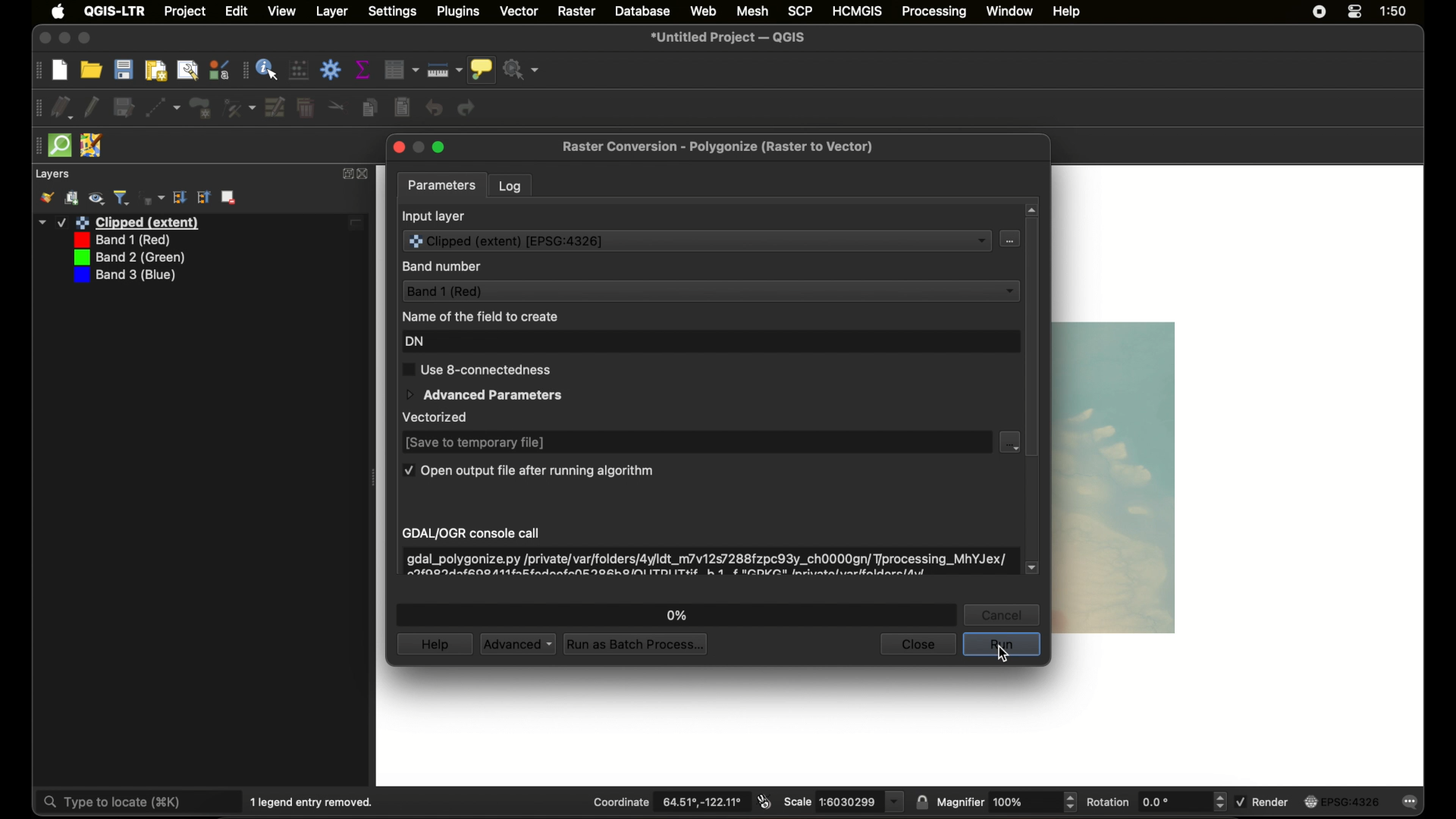  I want to click on layer, so click(332, 12).